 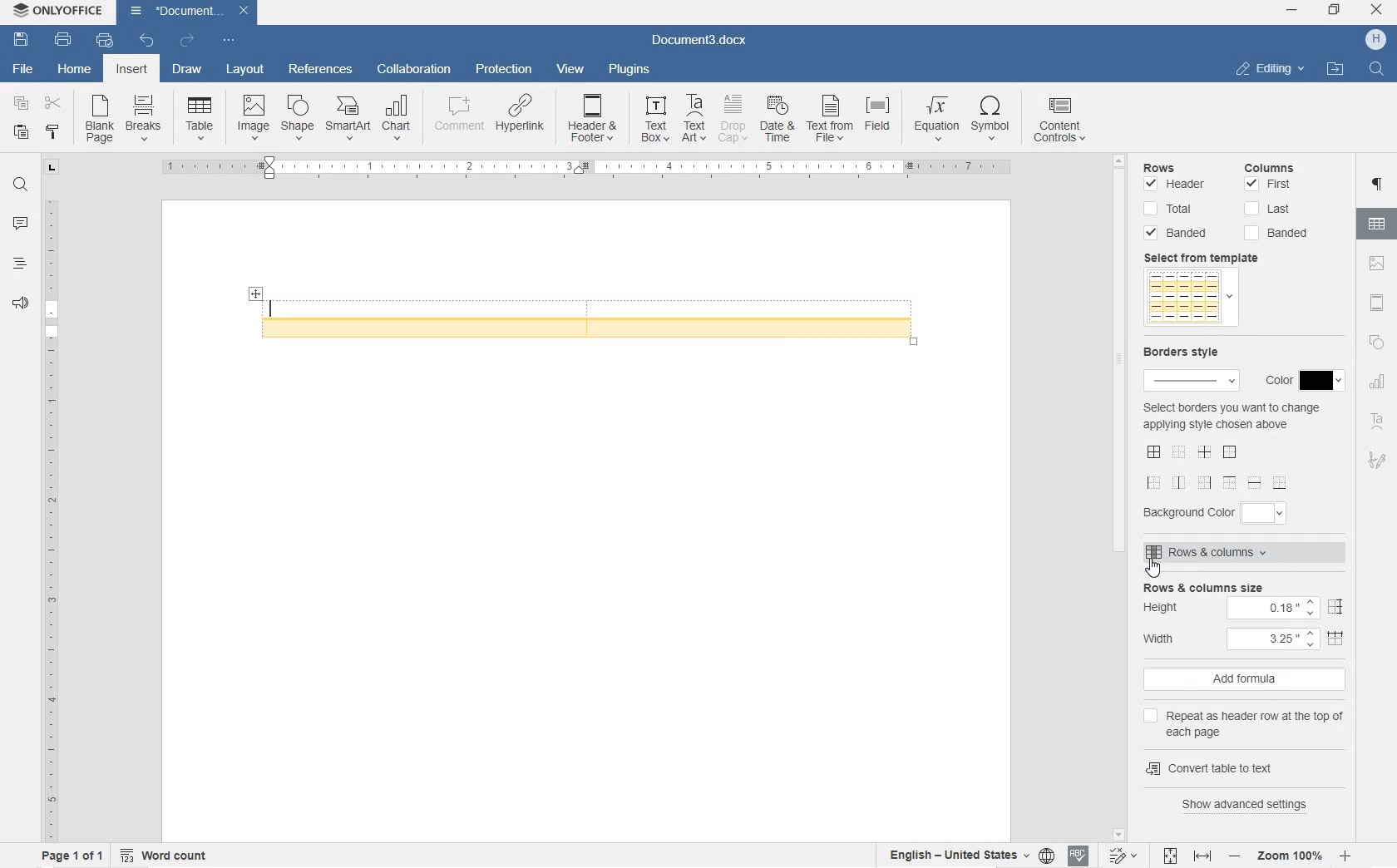 What do you see at coordinates (1299, 382) in the screenshot?
I see `Border Color` at bounding box center [1299, 382].